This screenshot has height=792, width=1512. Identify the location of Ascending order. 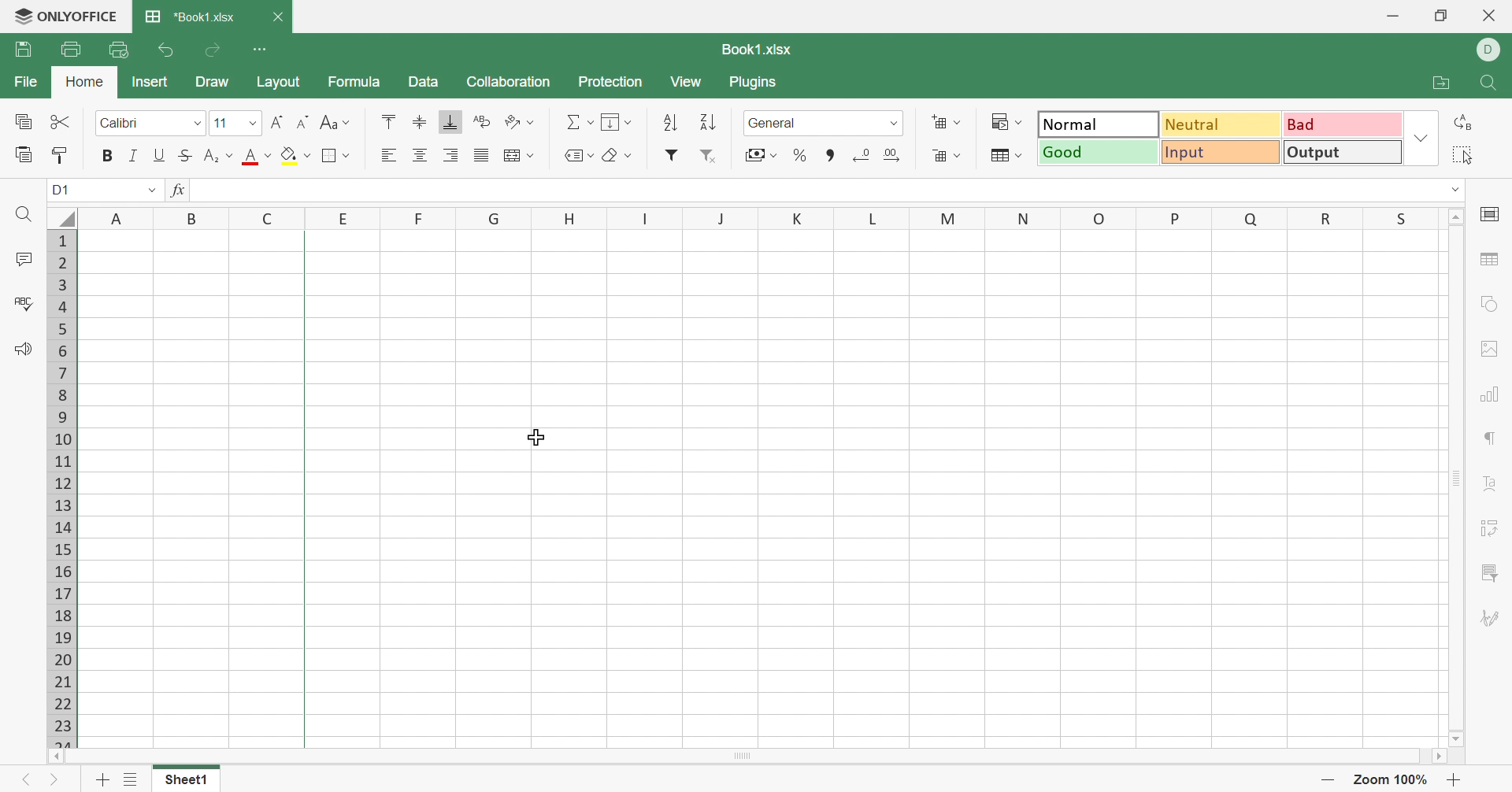
(671, 121).